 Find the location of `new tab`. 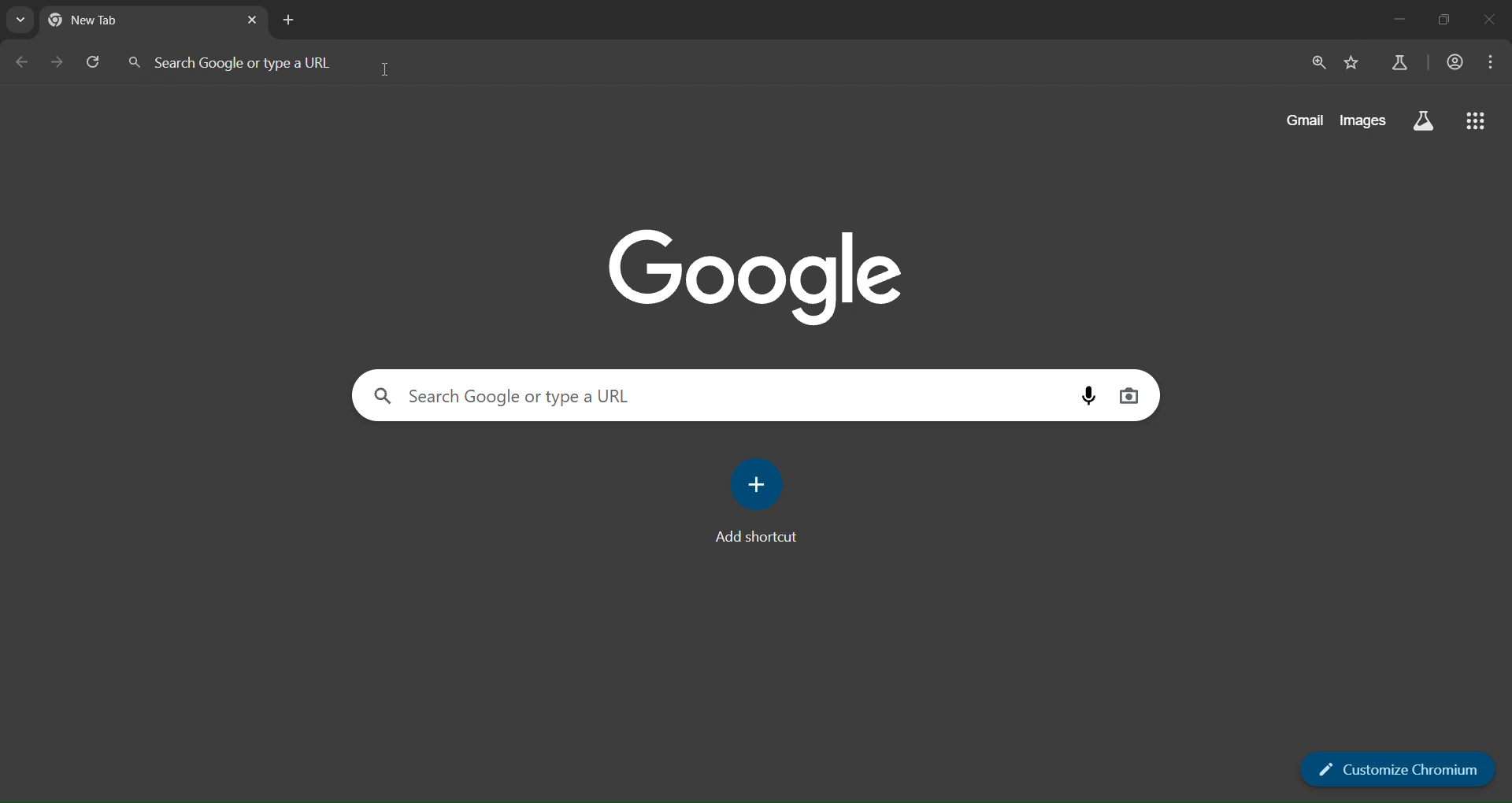

new tab is located at coordinates (289, 20).